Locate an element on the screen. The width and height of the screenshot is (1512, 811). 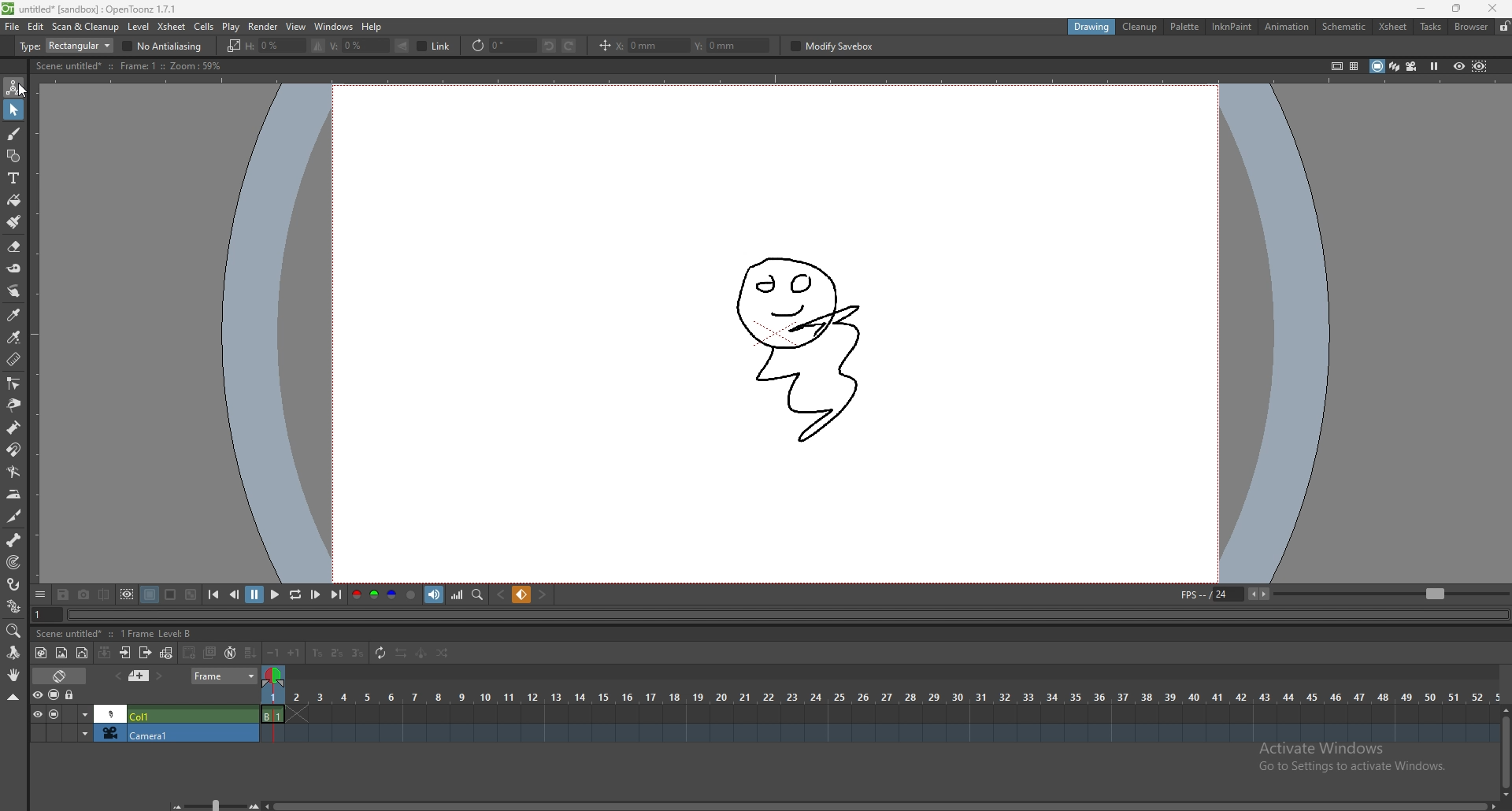
type is located at coordinates (65, 46).